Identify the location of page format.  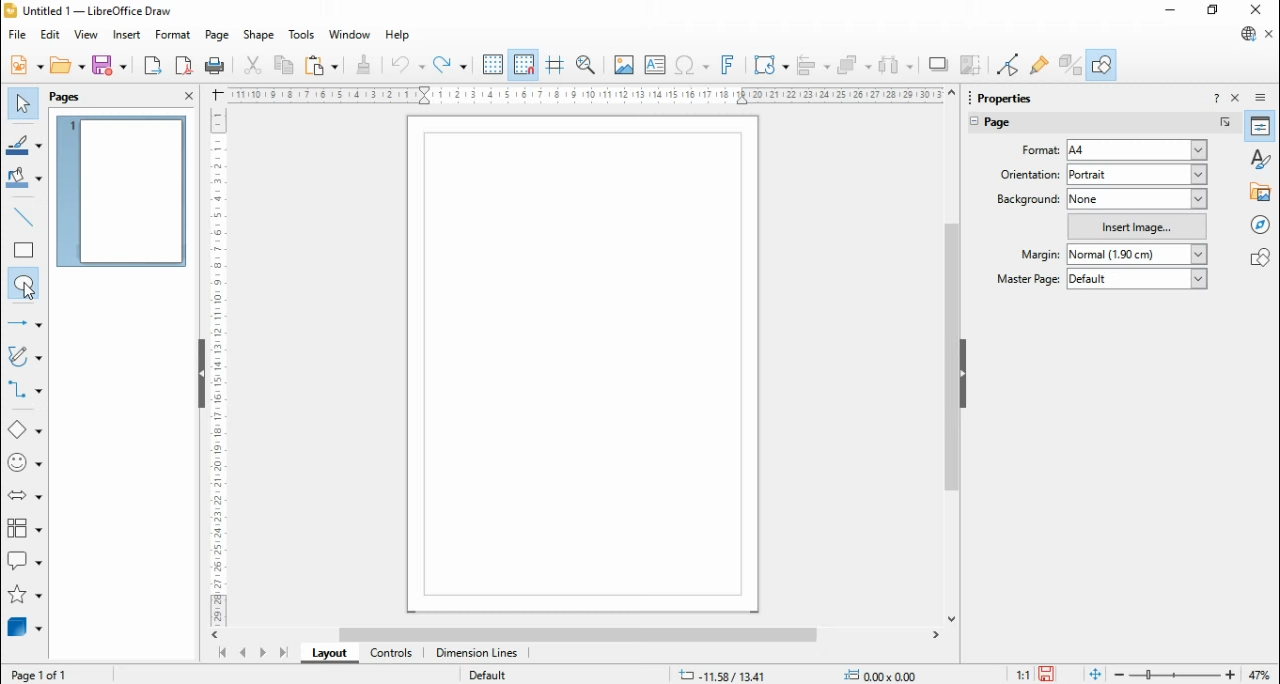
(1043, 150).